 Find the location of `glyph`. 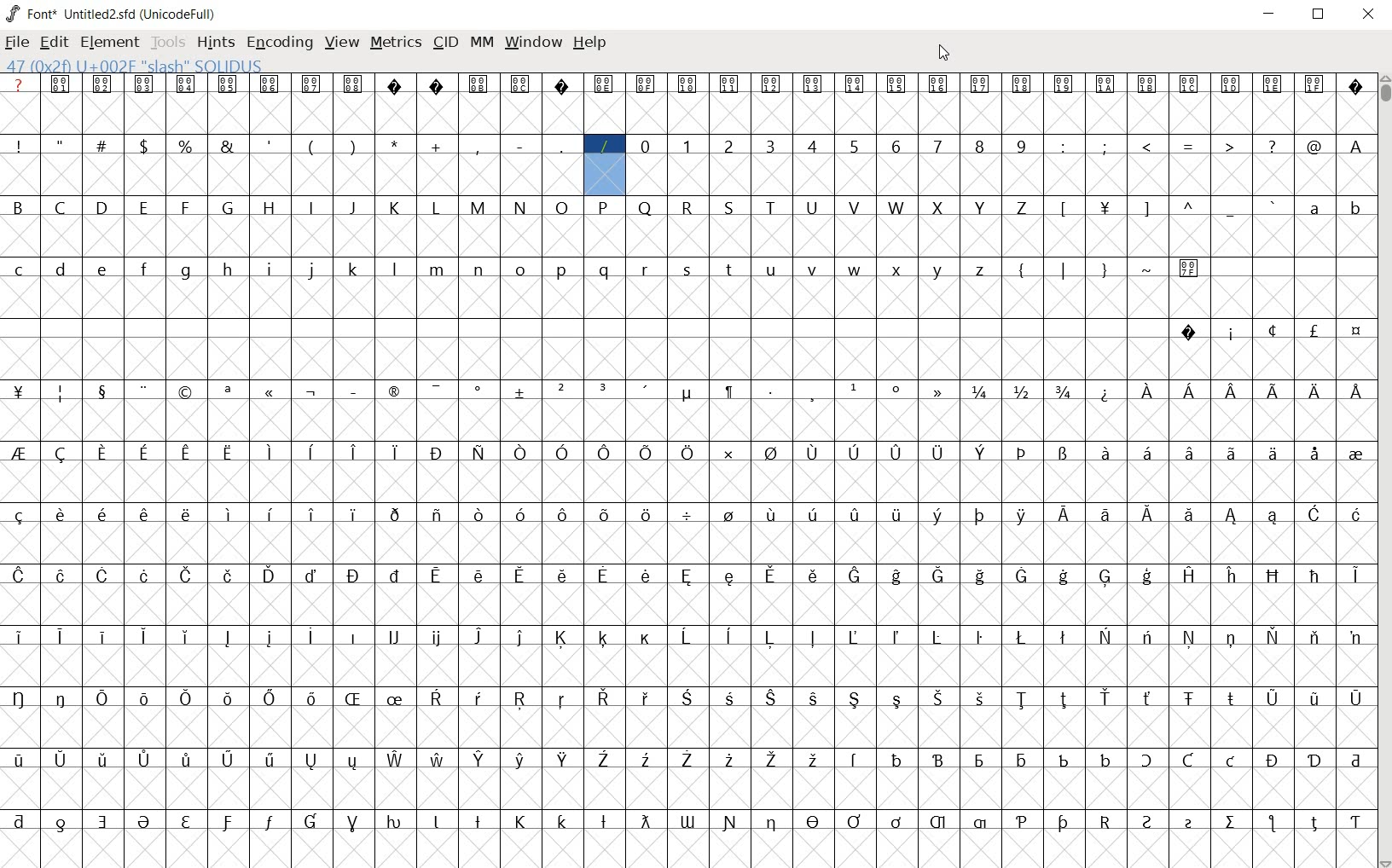

glyph is located at coordinates (270, 514).